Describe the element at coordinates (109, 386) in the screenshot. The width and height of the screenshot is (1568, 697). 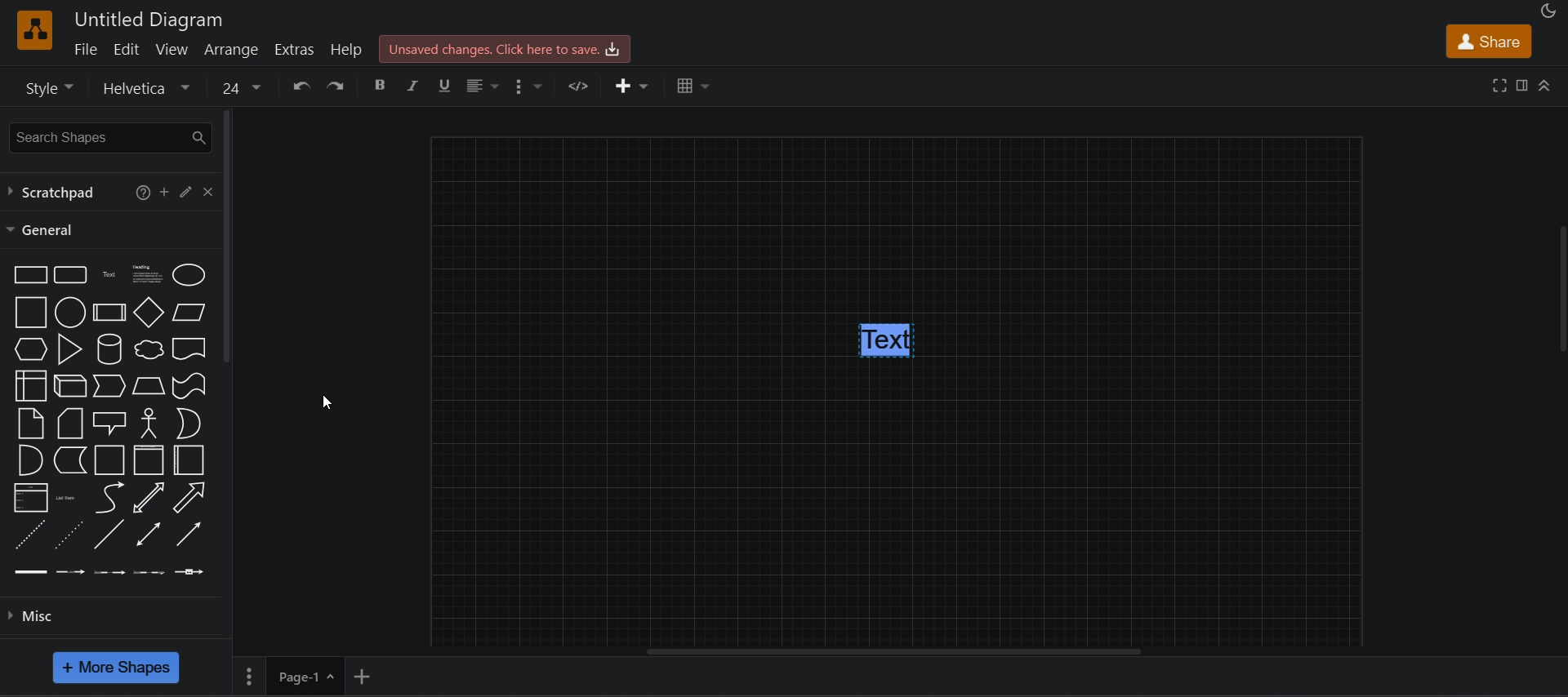
I see `Step` at that location.